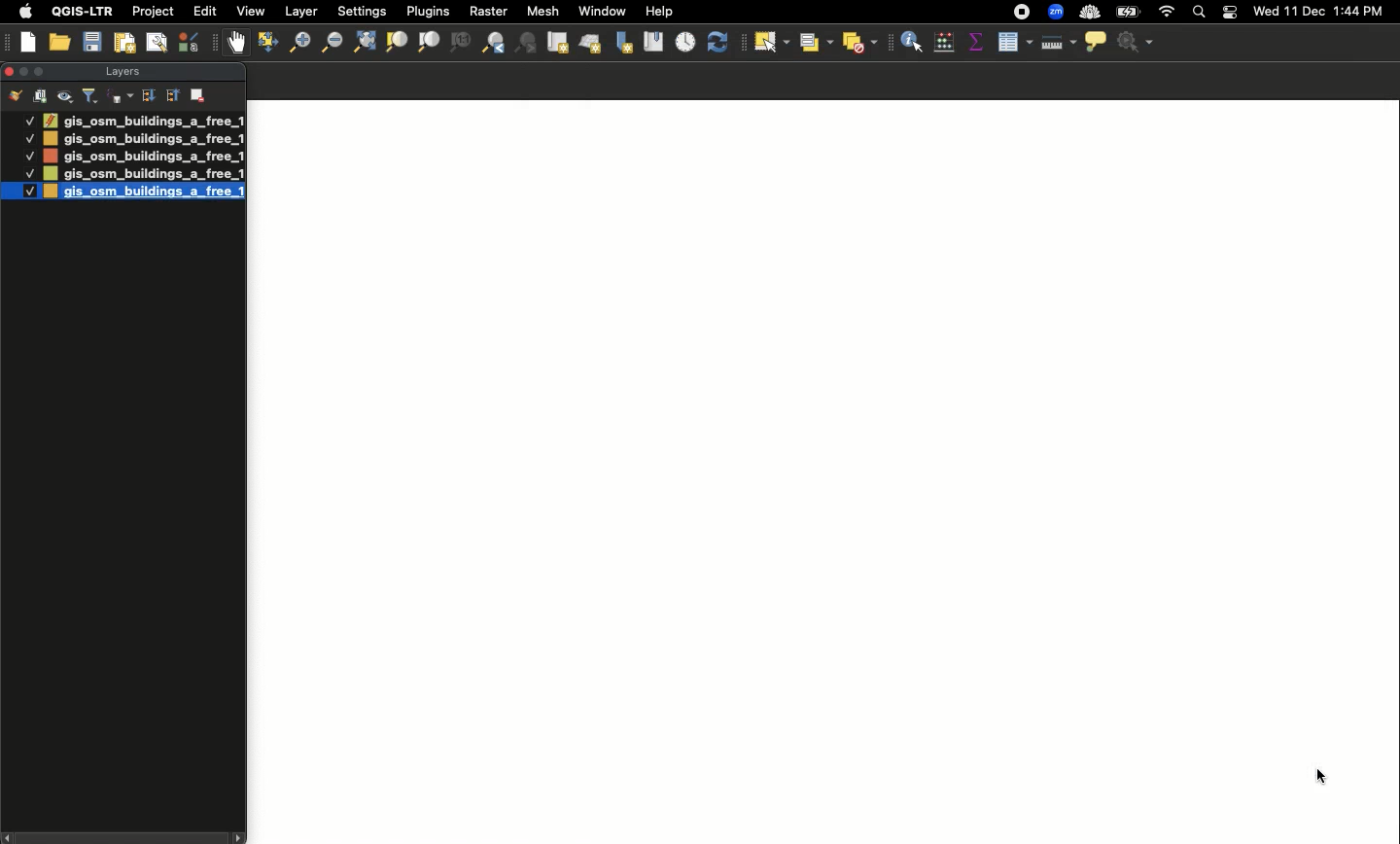  Describe the element at coordinates (22, 12) in the screenshot. I see `Apple` at that location.